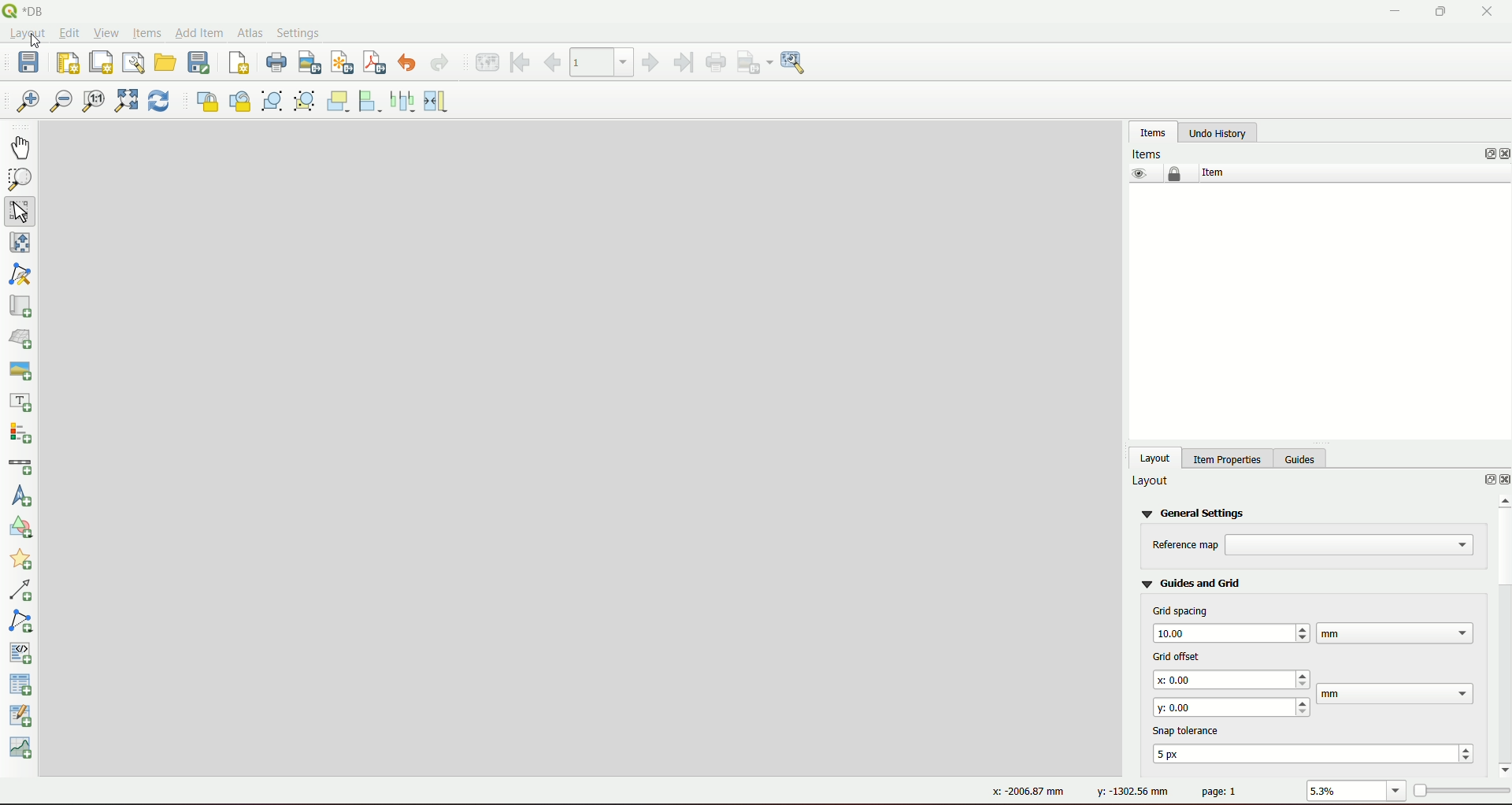 The width and height of the screenshot is (1512, 805). What do you see at coordinates (309, 64) in the screenshot?
I see `export as image` at bounding box center [309, 64].